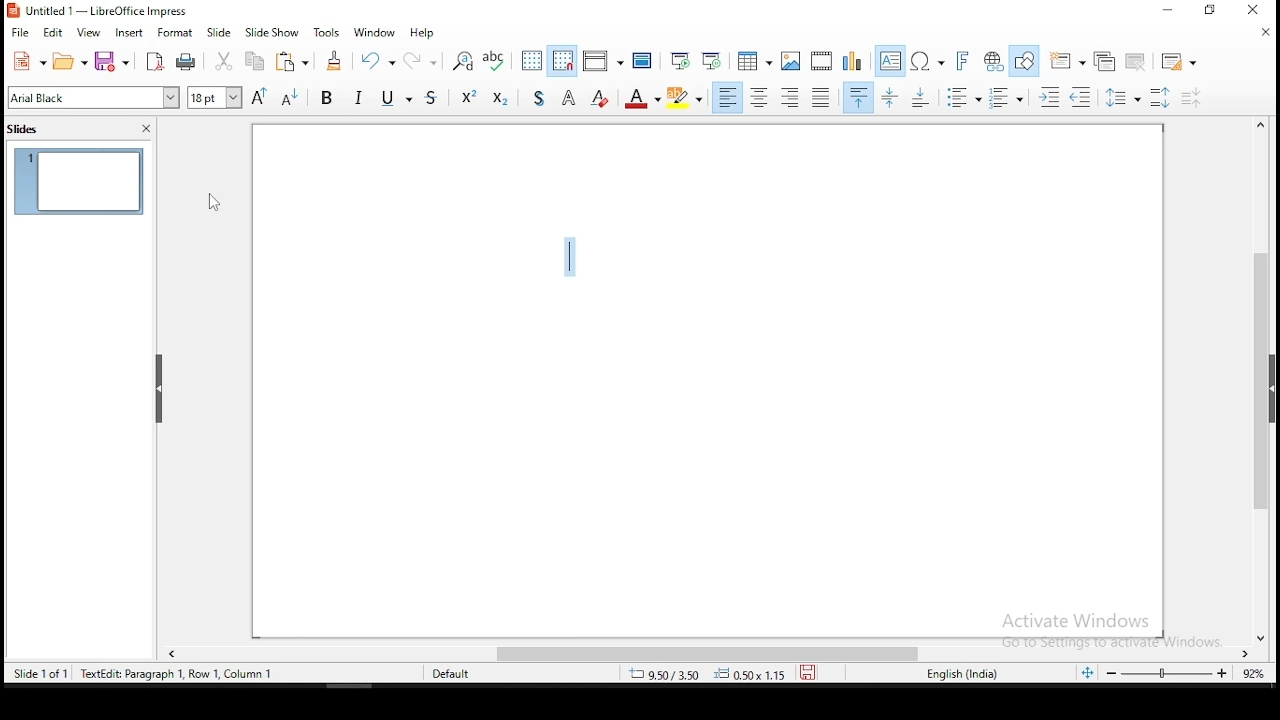 This screenshot has width=1280, height=720. What do you see at coordinates (70, 61) in the screenshot?
I see `open` at bounding box center [70, 61].